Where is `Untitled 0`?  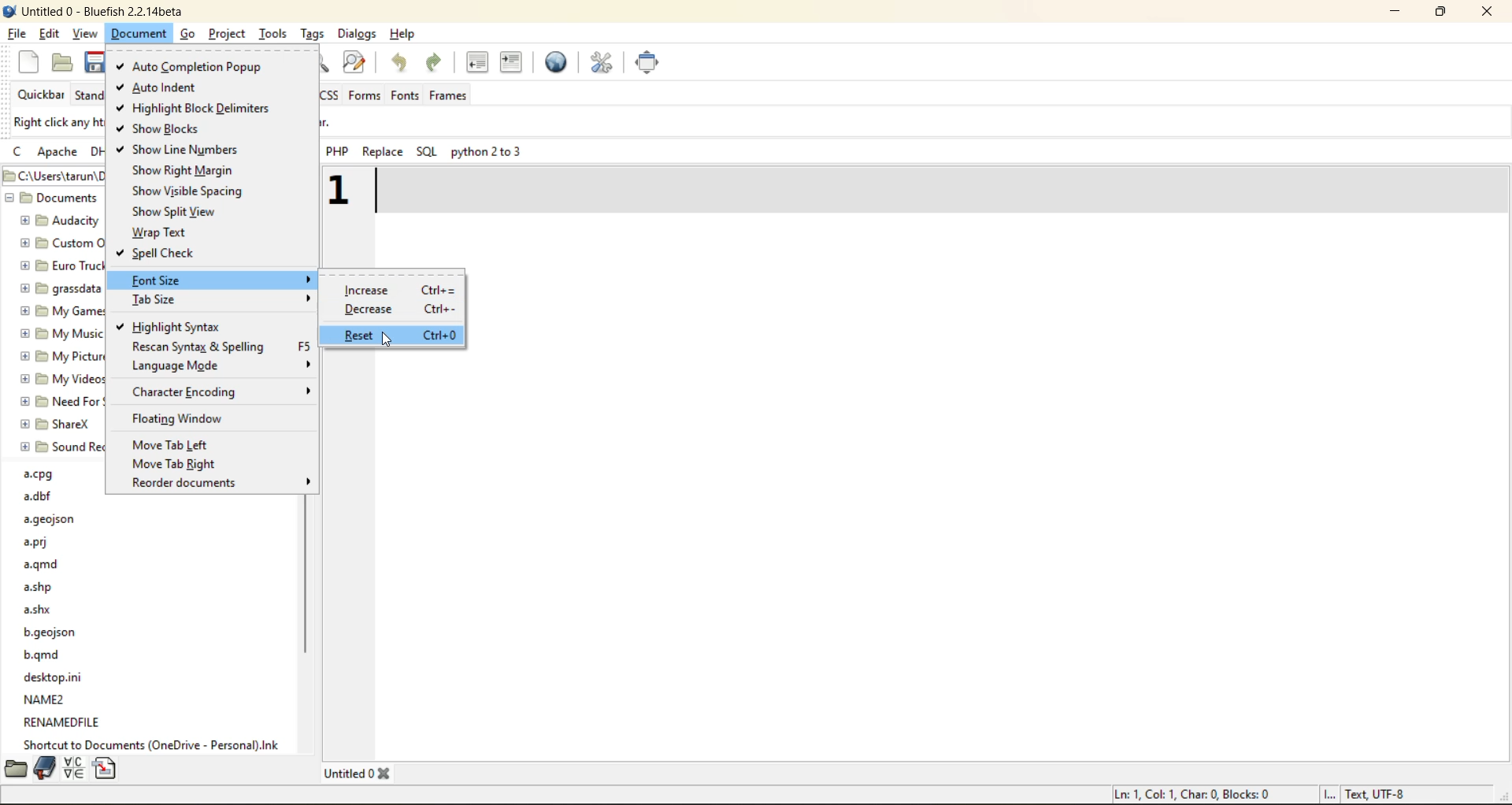 Untitled 0 is located at coordinates (348, 773).